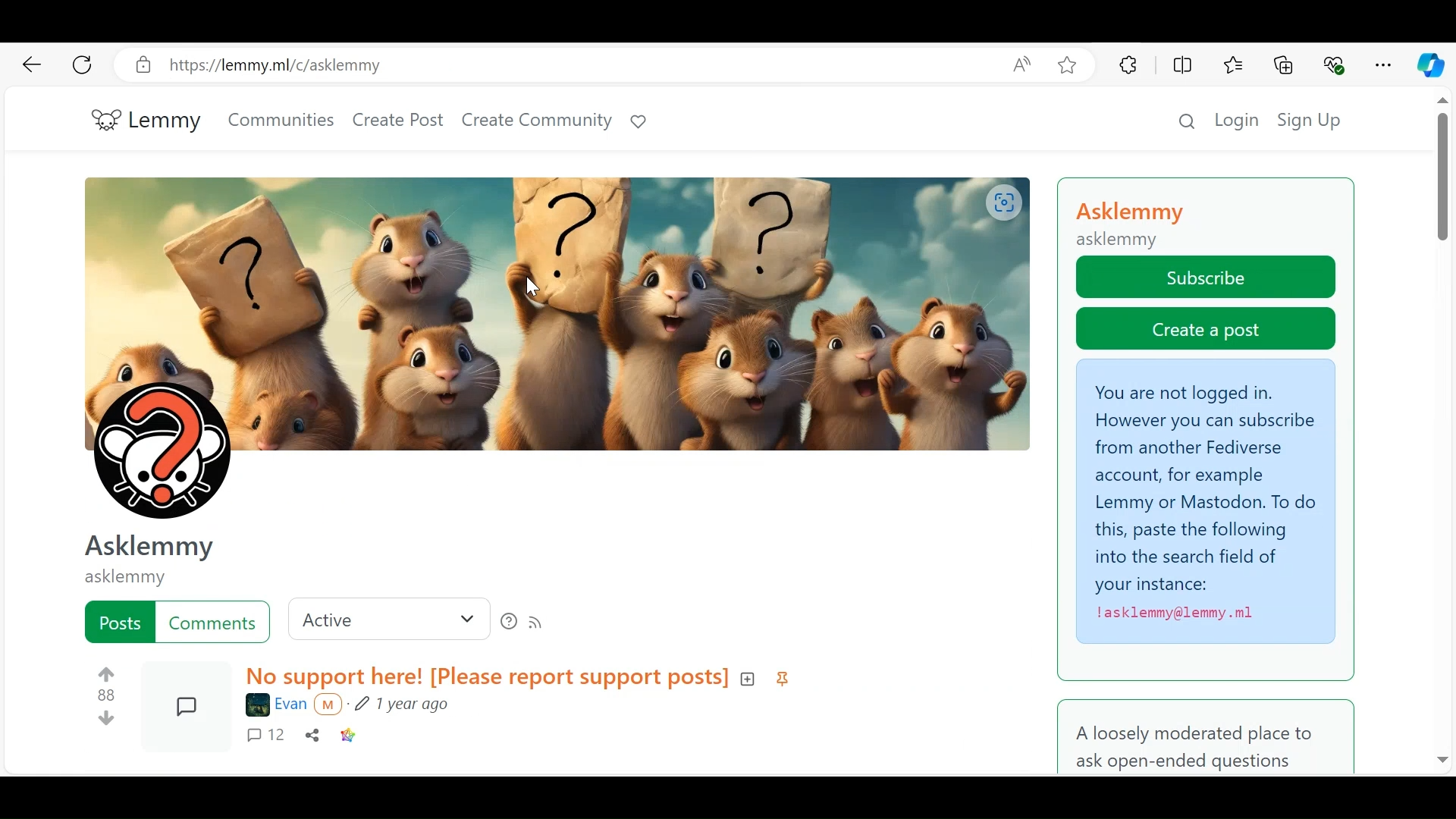  What do you see at coordinates (748, 679) in the screenshot?
I see `Collapse/Expand` at bounding box center [748, 679].